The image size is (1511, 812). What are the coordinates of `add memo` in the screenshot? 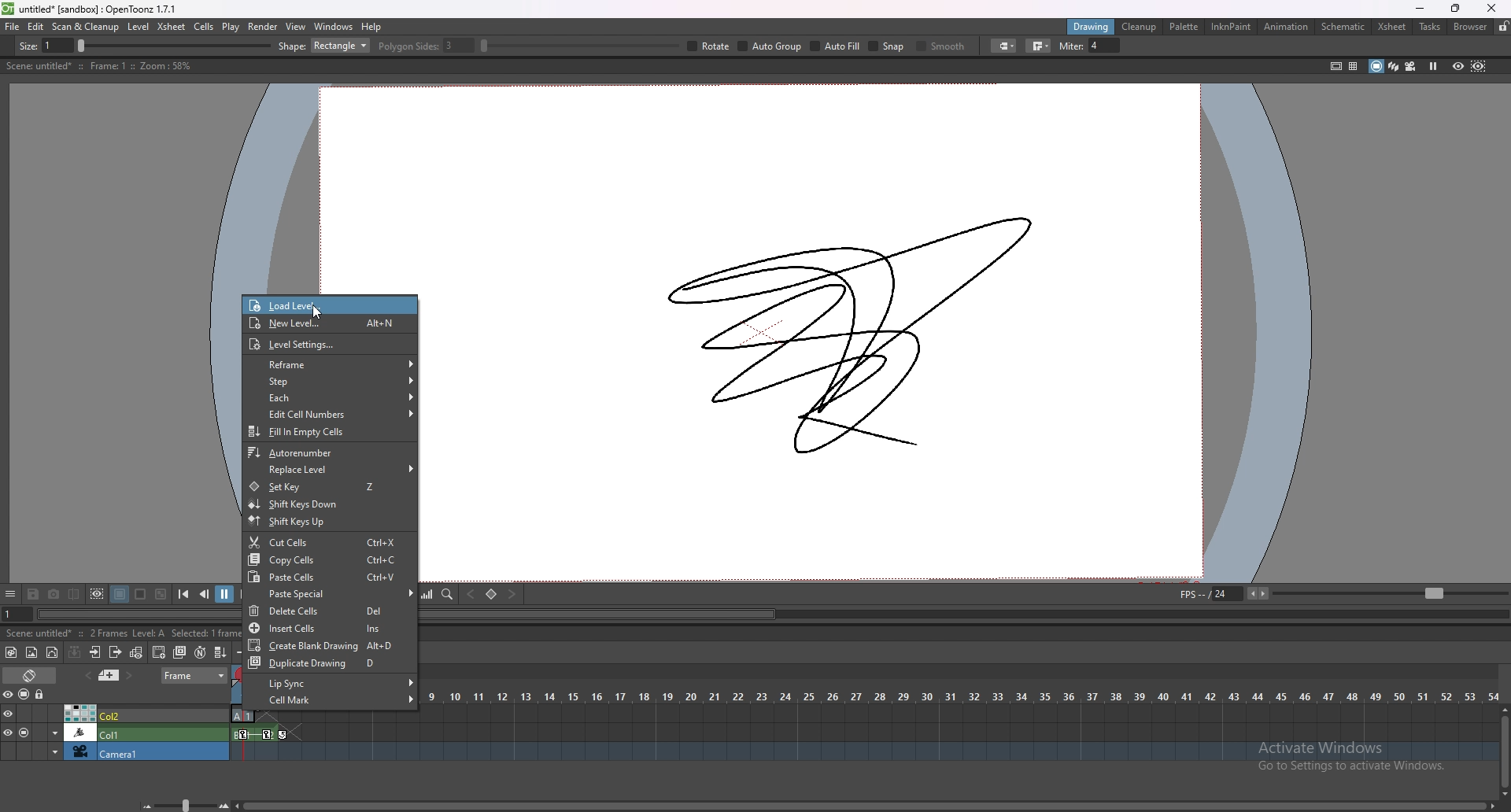 It's located at (109, 674).